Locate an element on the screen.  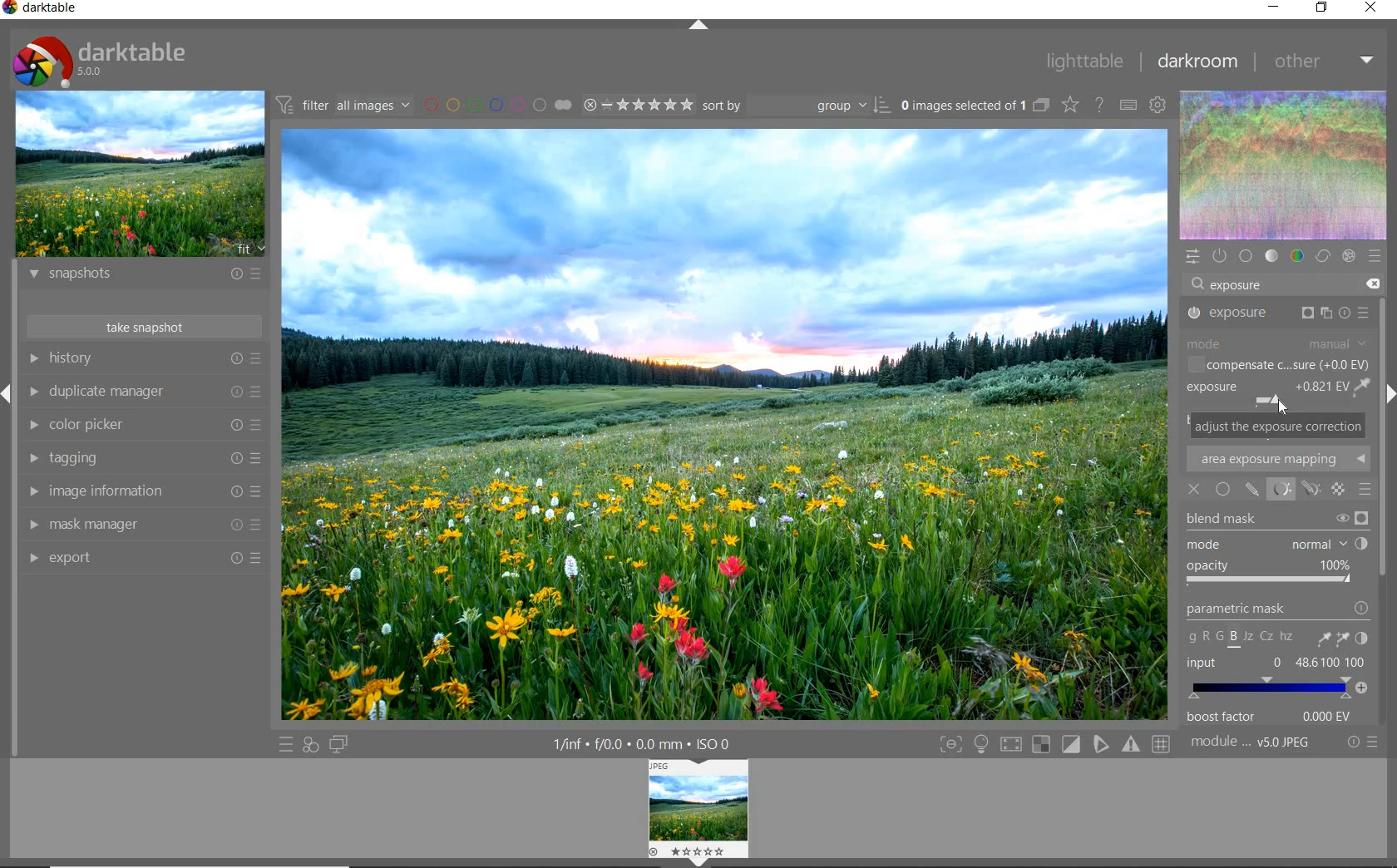
base is located at coordinates (1247, 256).